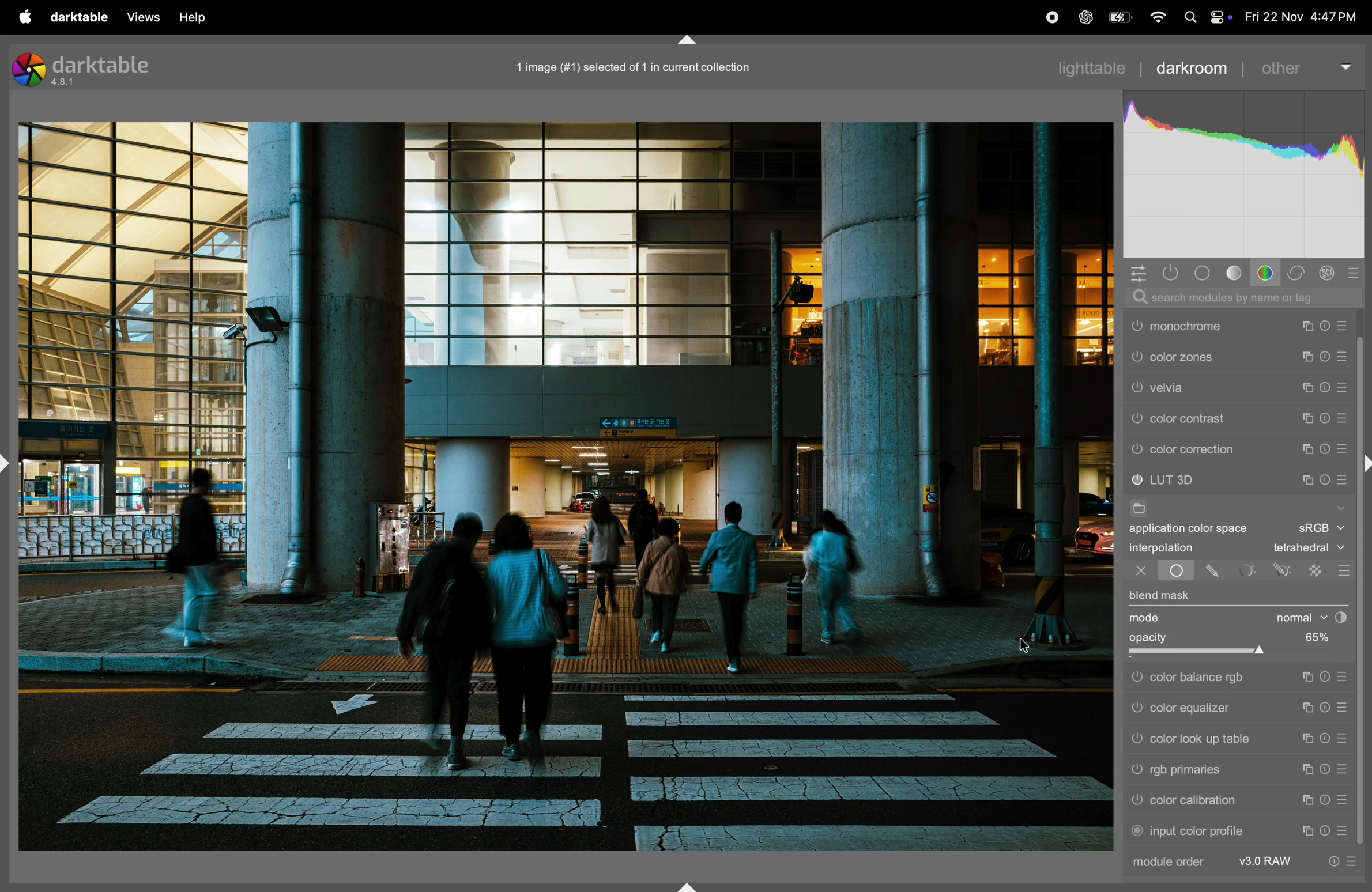 The image size is (1372, 892). I want to click on blending options, so click(1343, 568).